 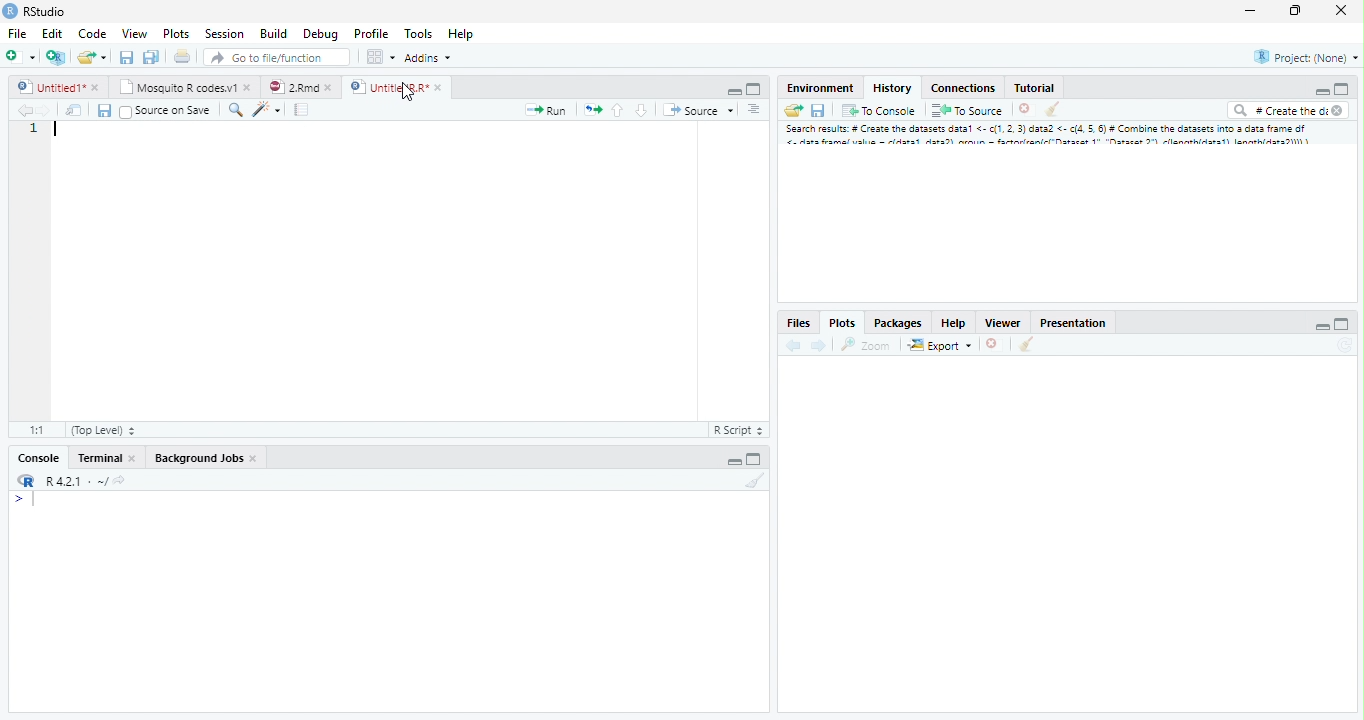 What do you see at coordinates (53, 35) in the screenshot?
I see `Edit` at bounding box center [53, 35].